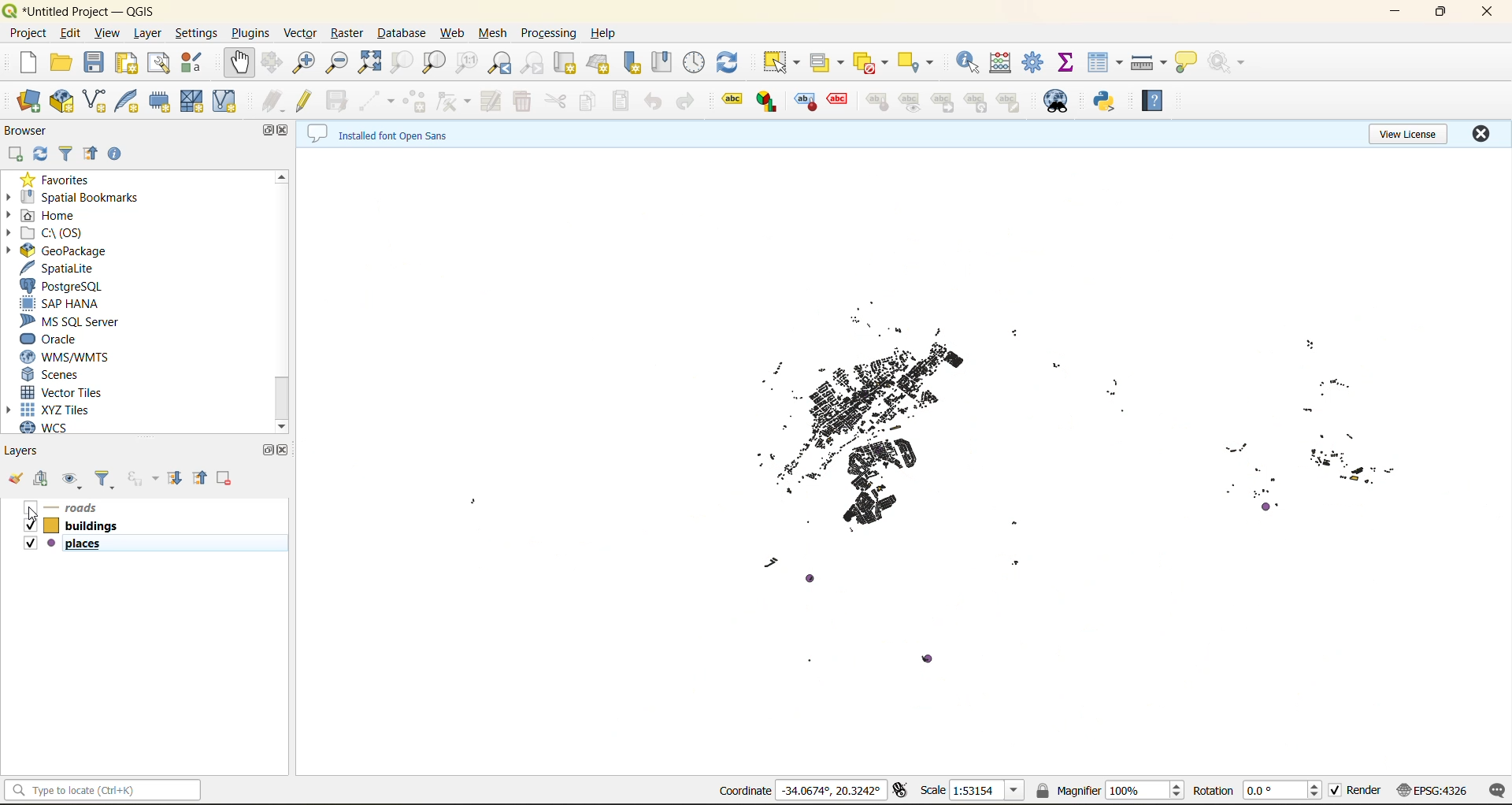 The image size is (1512, 805). I want to click on vector, so click(302, 34).